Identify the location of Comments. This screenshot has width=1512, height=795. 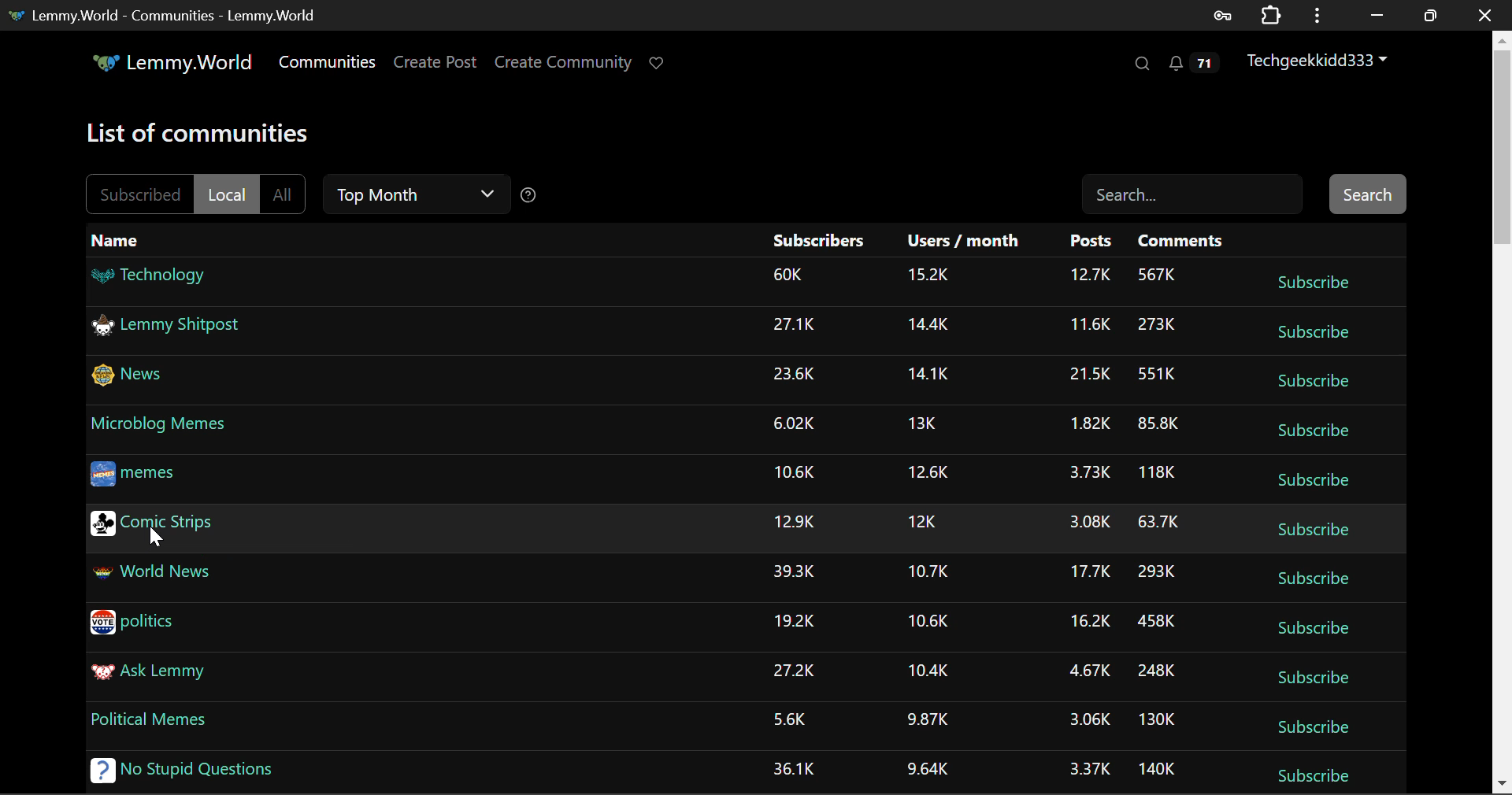
(1182, 242).